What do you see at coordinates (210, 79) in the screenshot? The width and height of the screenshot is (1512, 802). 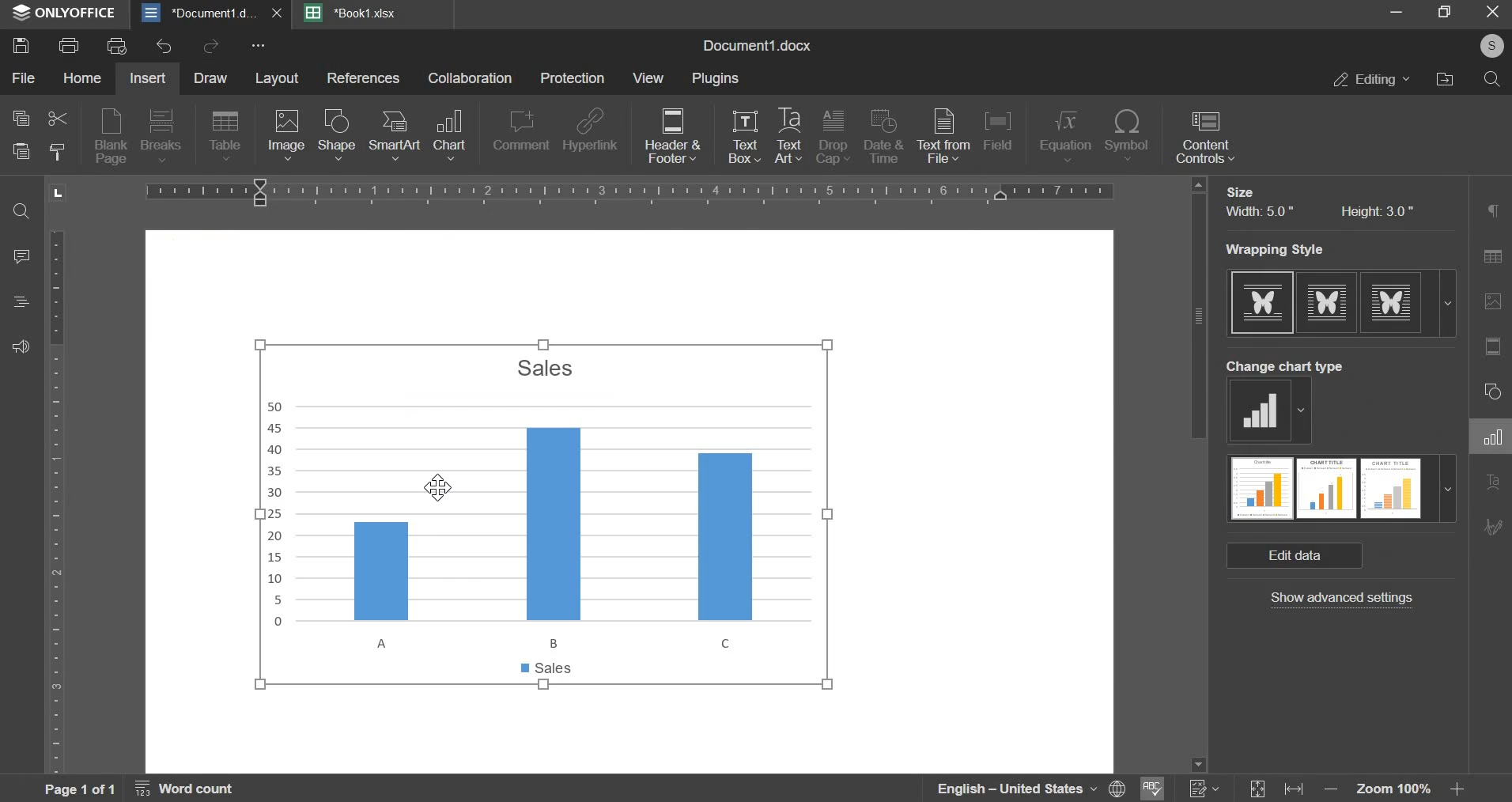 I see `draw` at bounding box center [210, 79].